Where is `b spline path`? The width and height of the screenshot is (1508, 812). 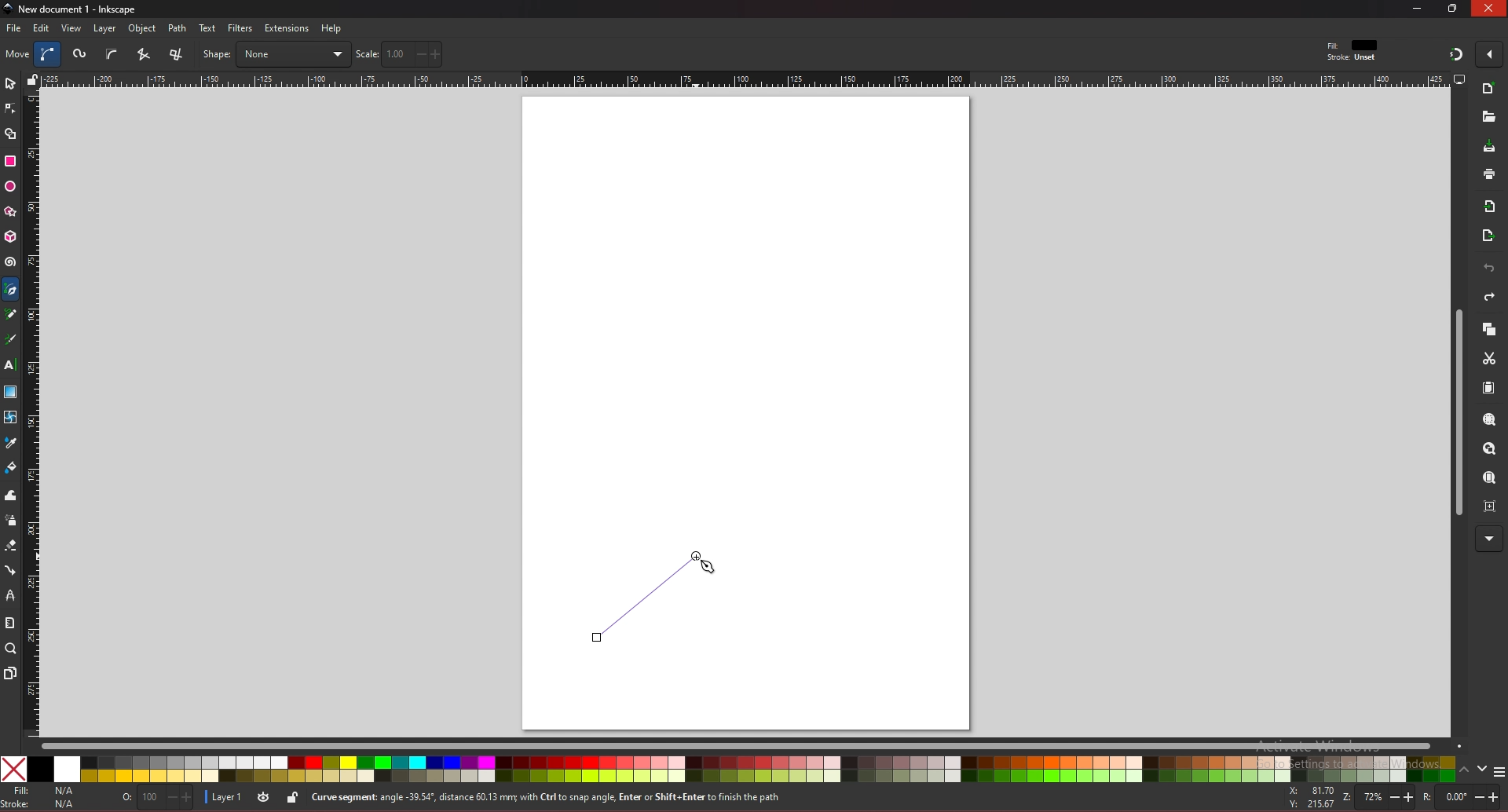
b spline path is located at coordinates (112, 53).